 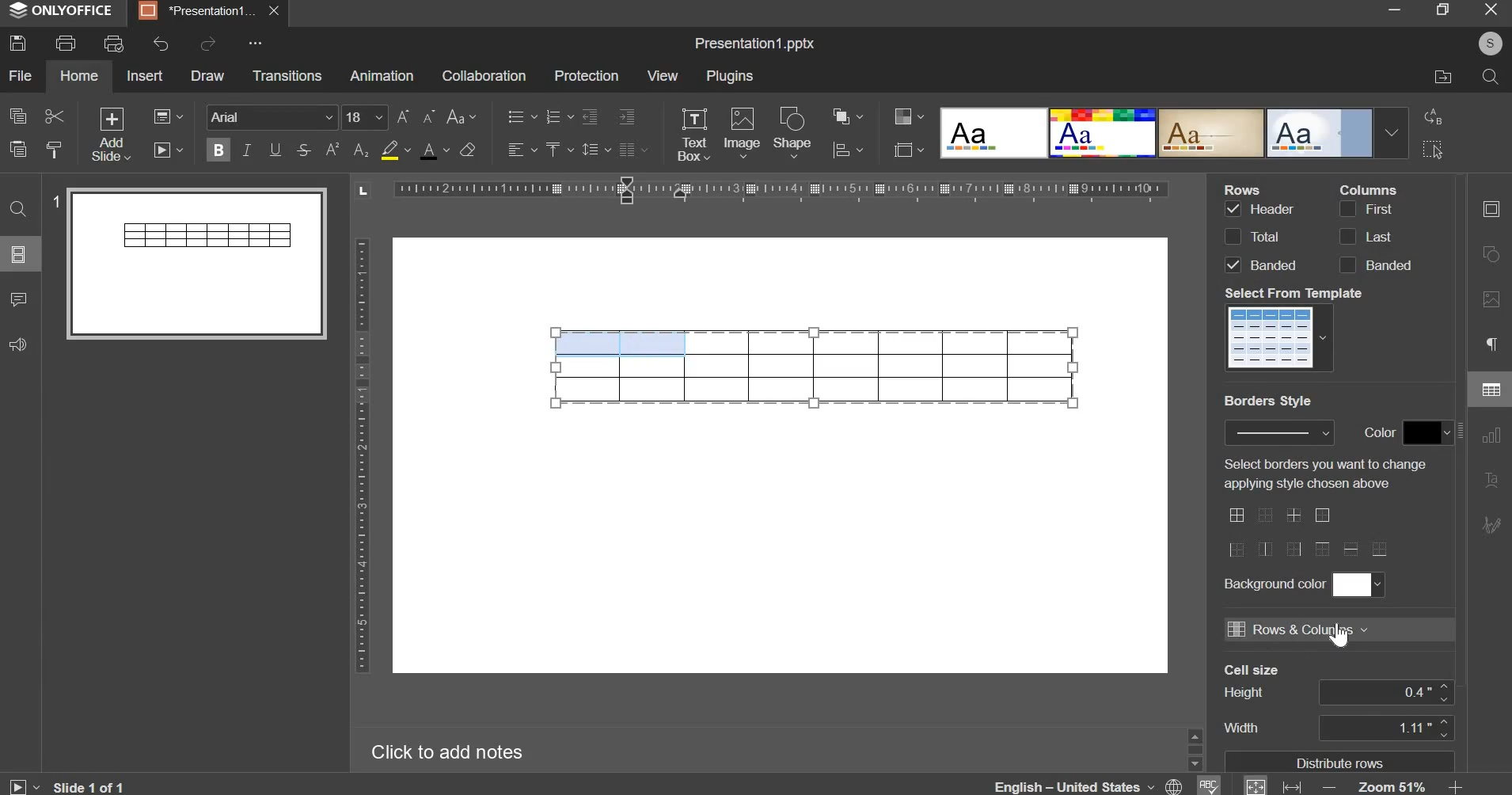 I want to click on feedback, so click(x=16, y=345).